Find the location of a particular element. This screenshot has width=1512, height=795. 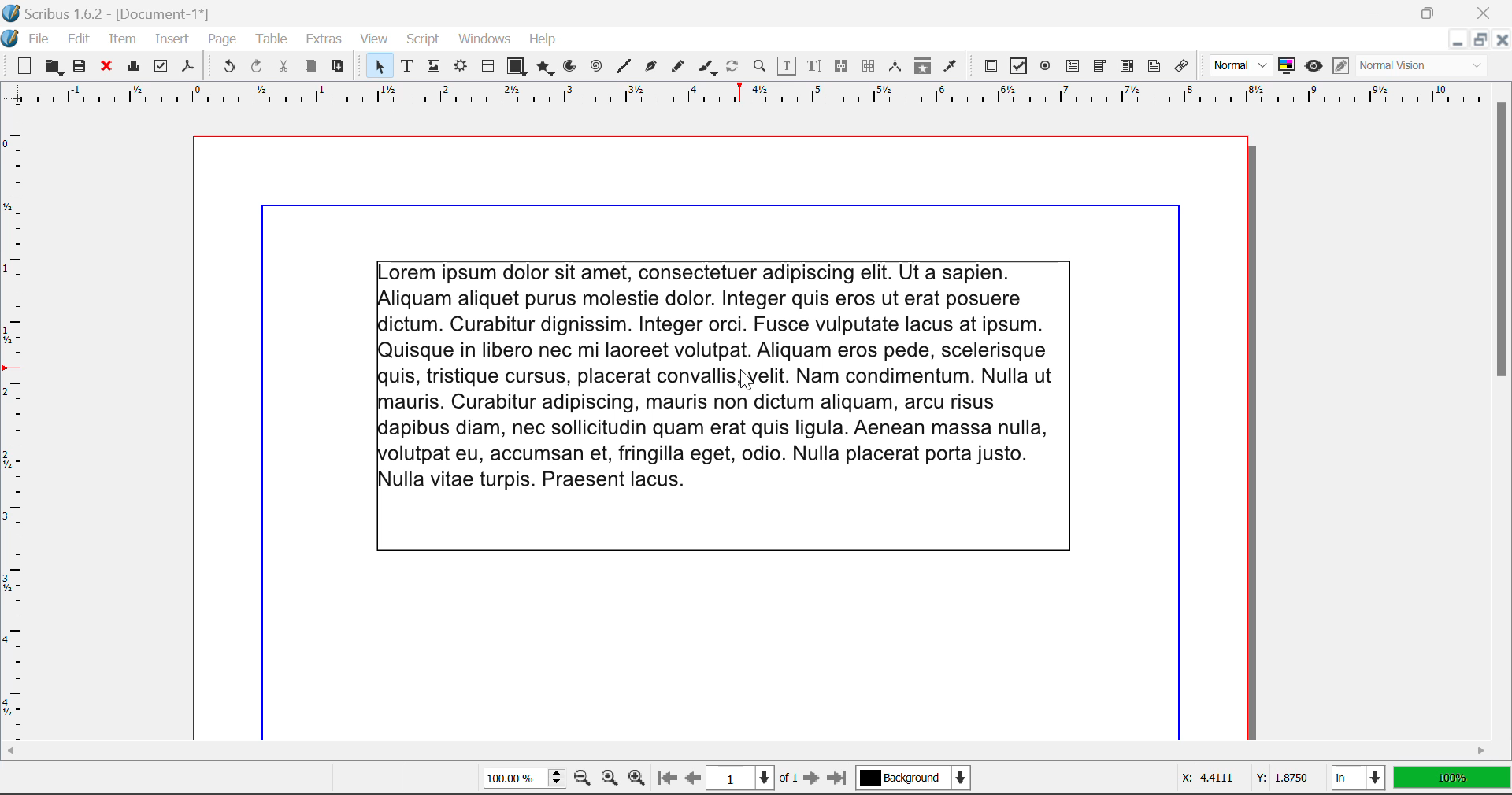

Text Annotation is located at coordinates (1157, 67).